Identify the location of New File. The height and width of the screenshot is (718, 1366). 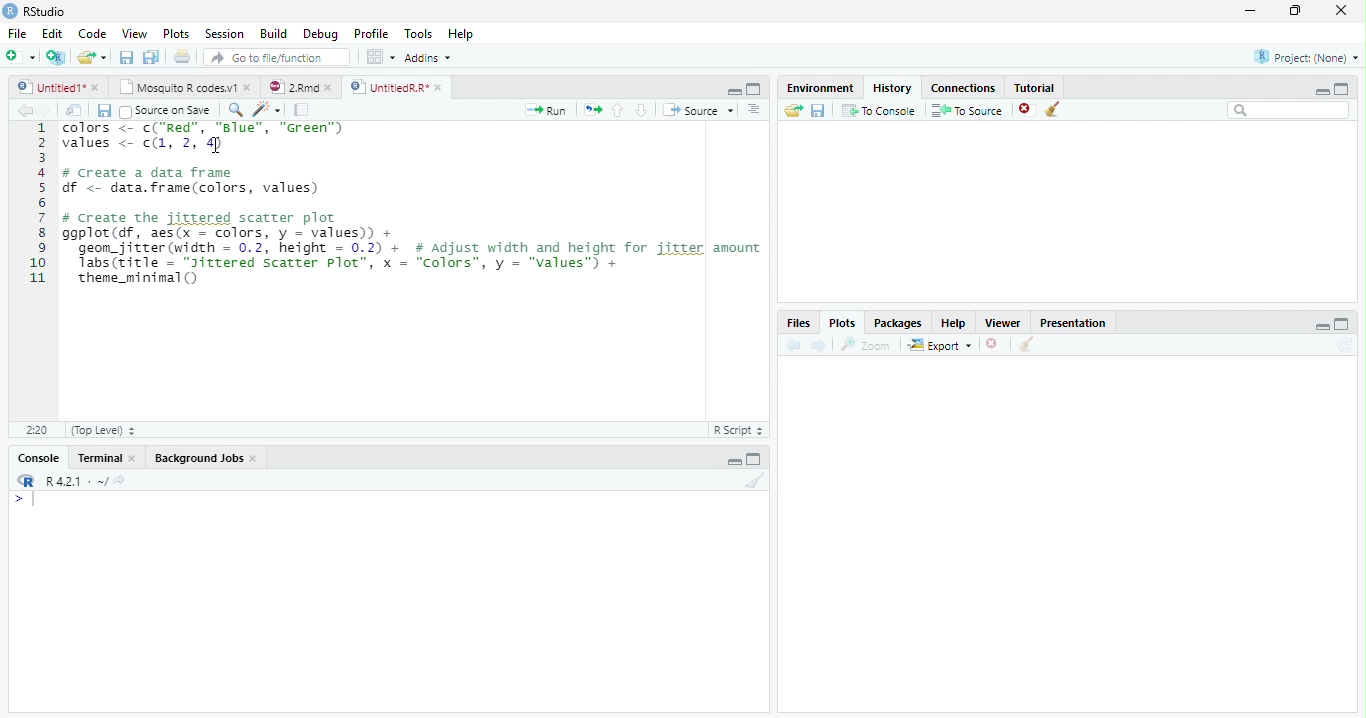
(21, 57).